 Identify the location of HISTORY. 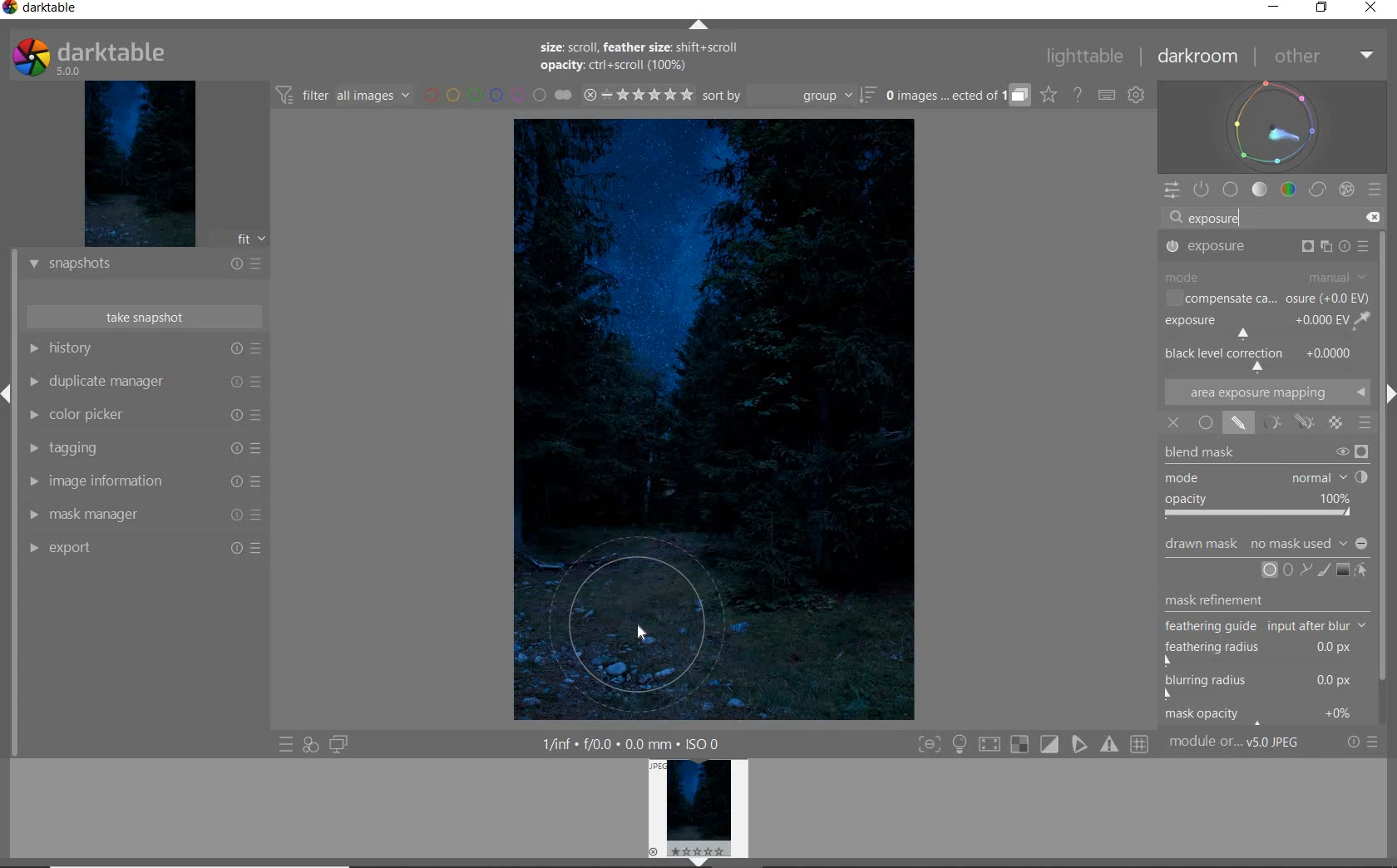
(141, 348).